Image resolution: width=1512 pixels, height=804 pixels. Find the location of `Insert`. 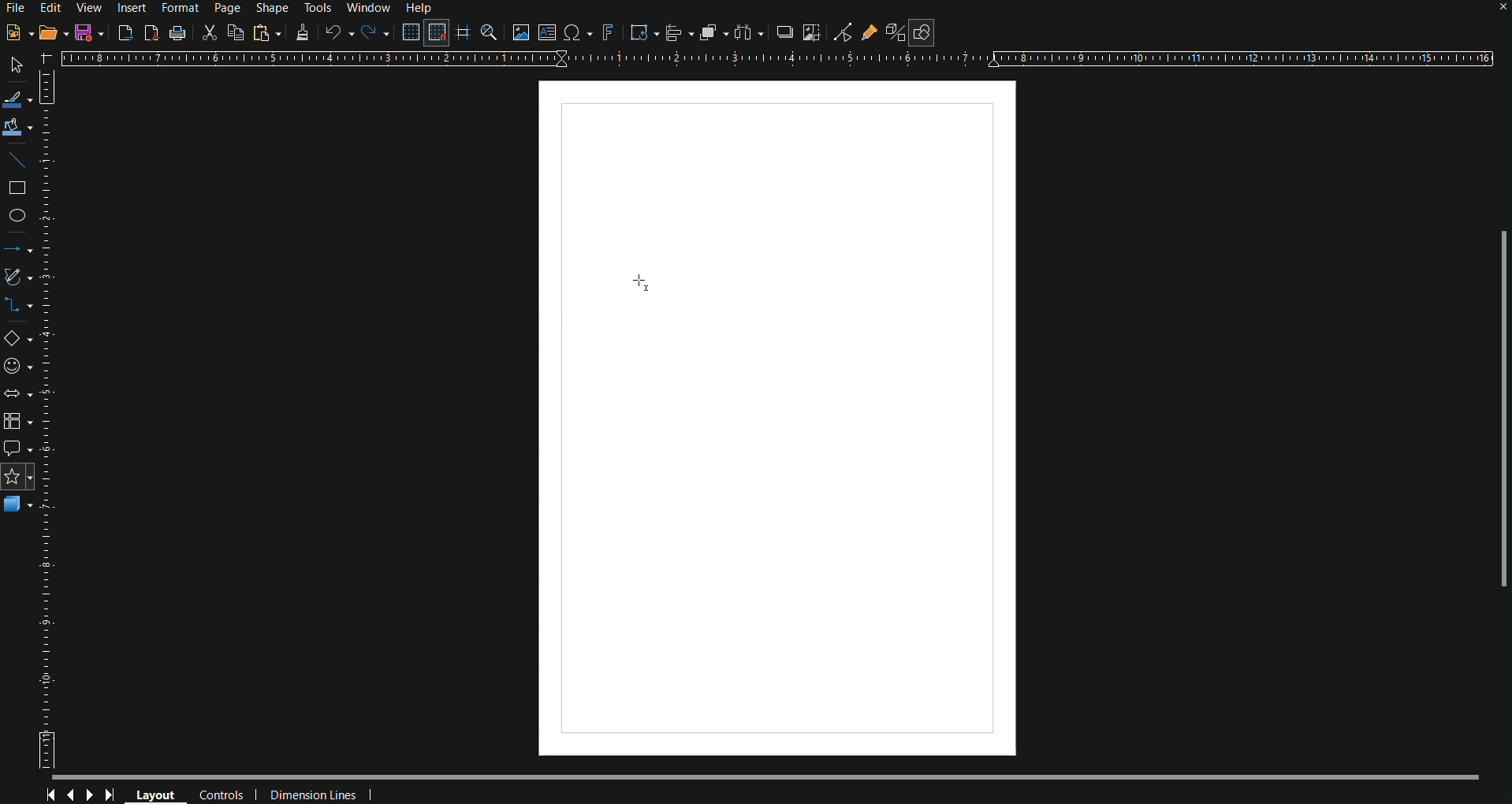

Insert is located at coordinates (131, 9).